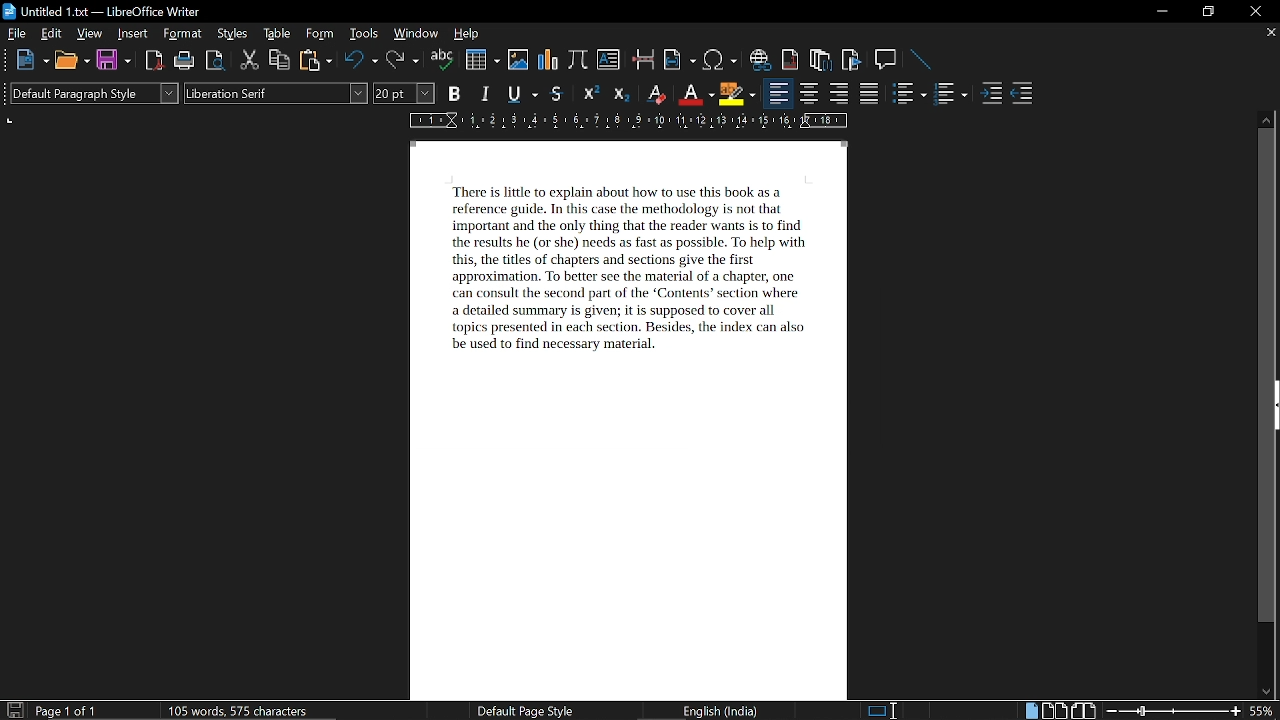  I want to click on vertically scrollbar, so click(1267, 376).